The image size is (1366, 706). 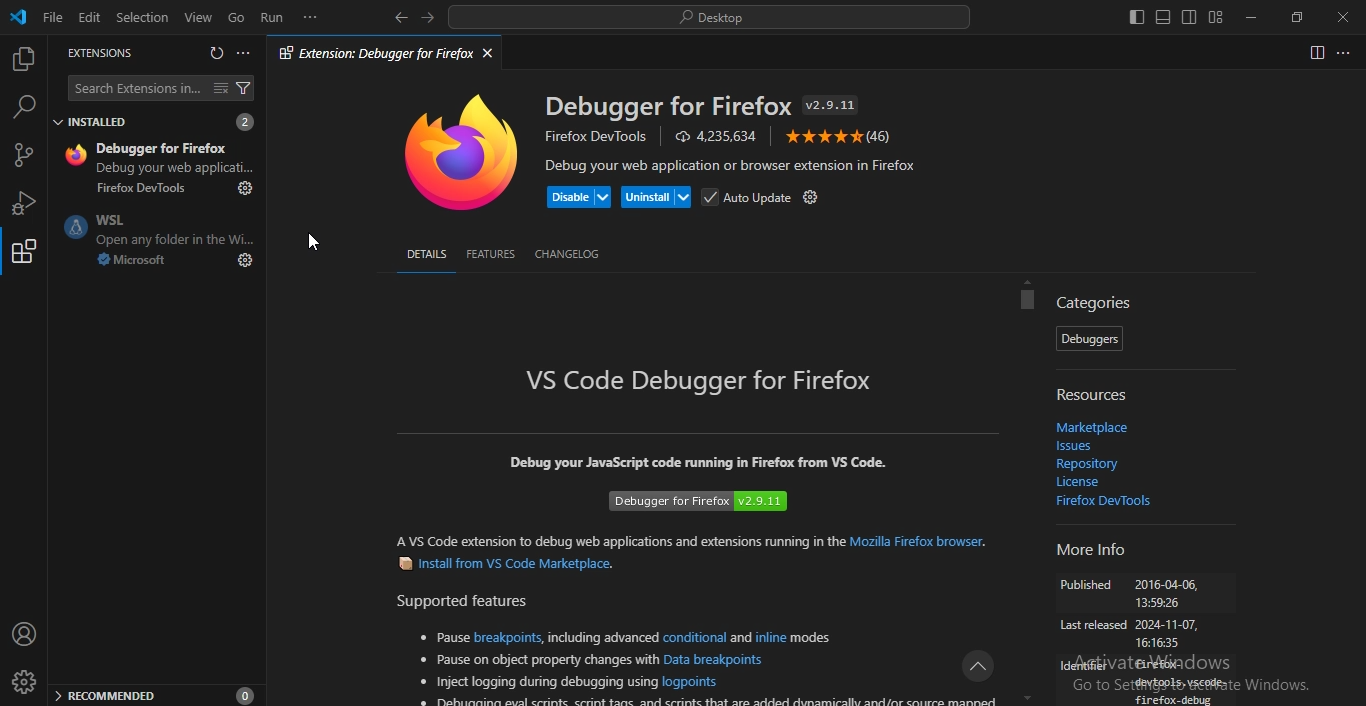 I want to click on cursor, so click(x=318, y=247).